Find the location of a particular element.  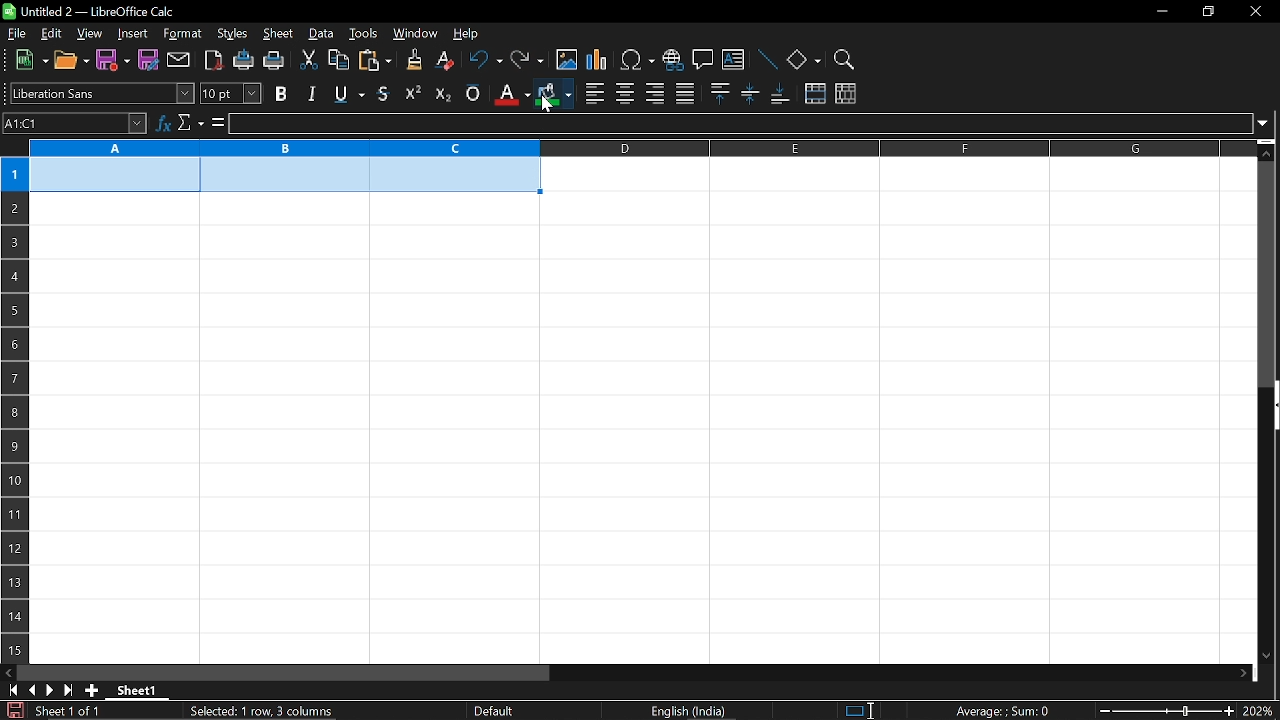

go to first page is located at coordinates (10, 691).